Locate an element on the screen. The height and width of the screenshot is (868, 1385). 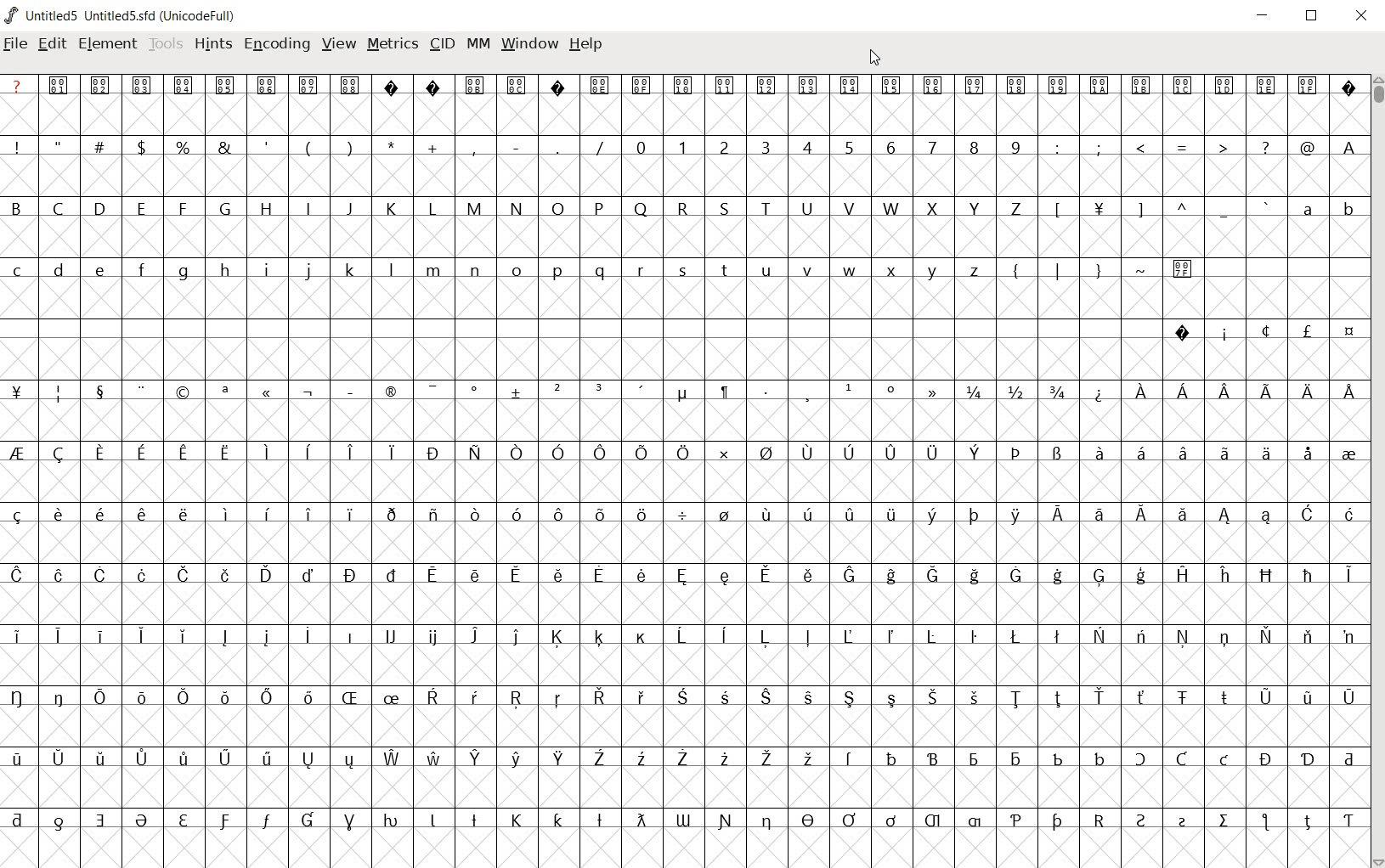
Symbol is located at coordinates (726, 454).